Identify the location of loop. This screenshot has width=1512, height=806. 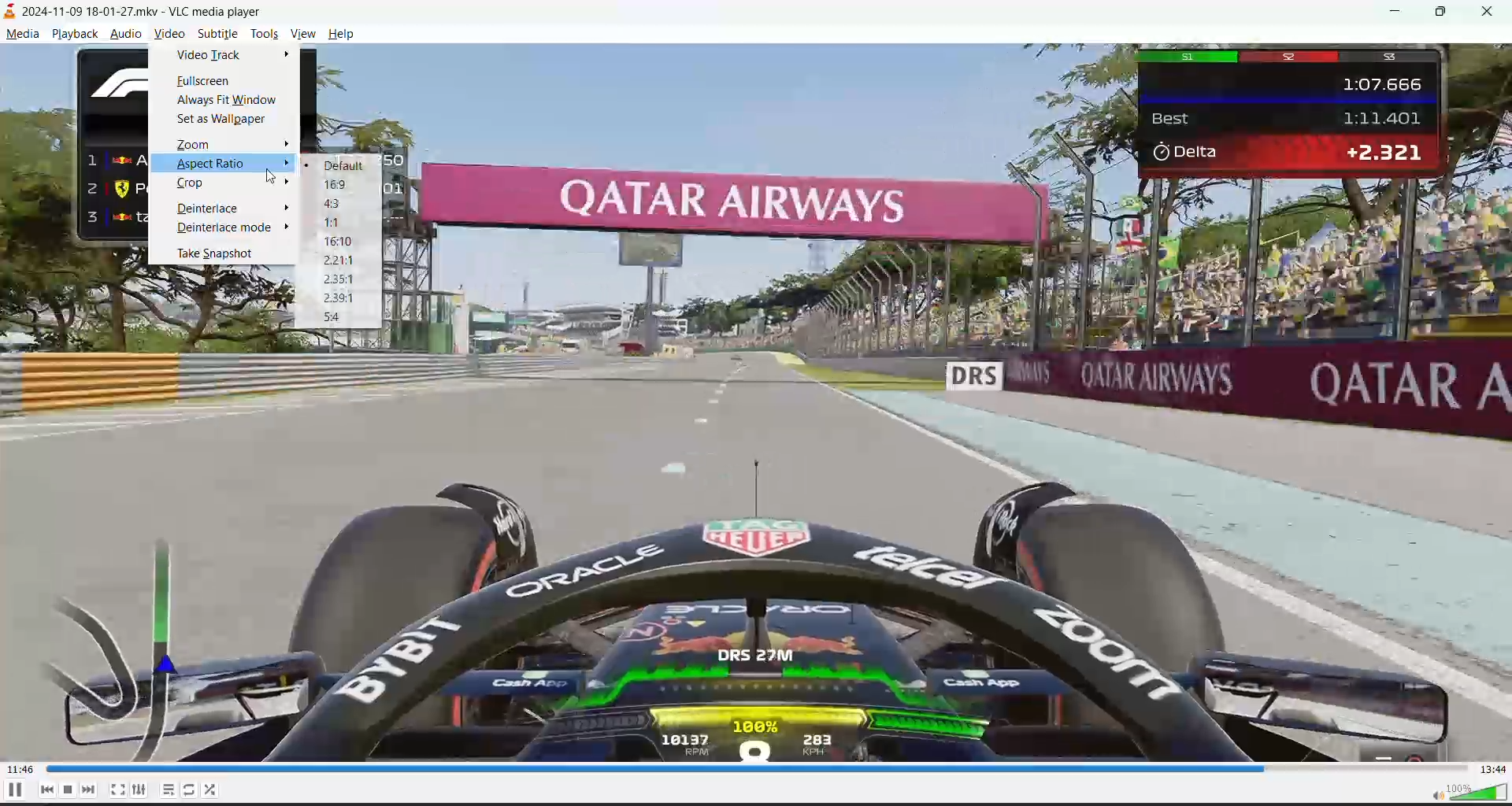
(185, 788).